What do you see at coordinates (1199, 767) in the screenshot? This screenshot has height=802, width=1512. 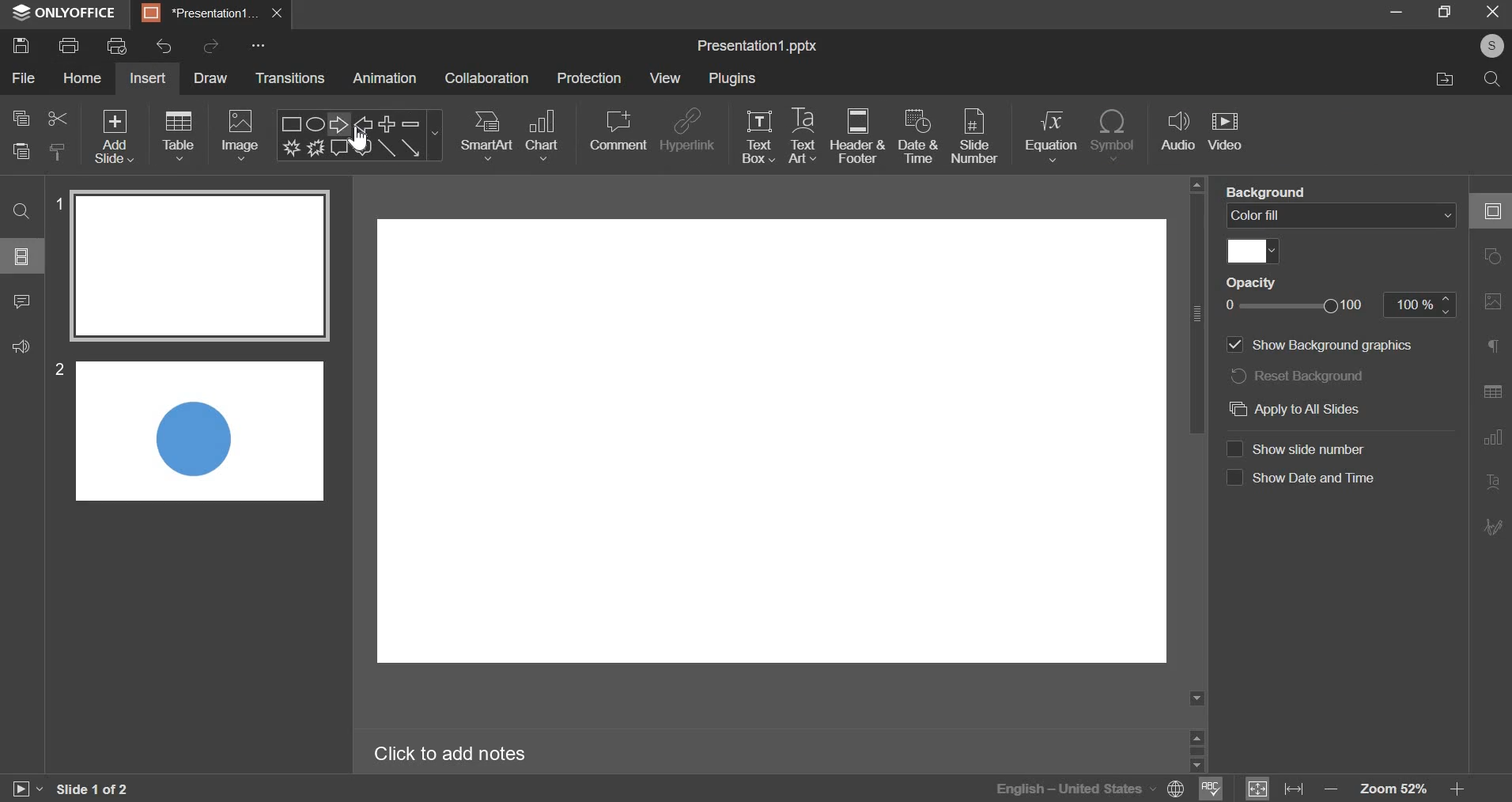 I see `scroll down` at bounding box center [1199, 767].